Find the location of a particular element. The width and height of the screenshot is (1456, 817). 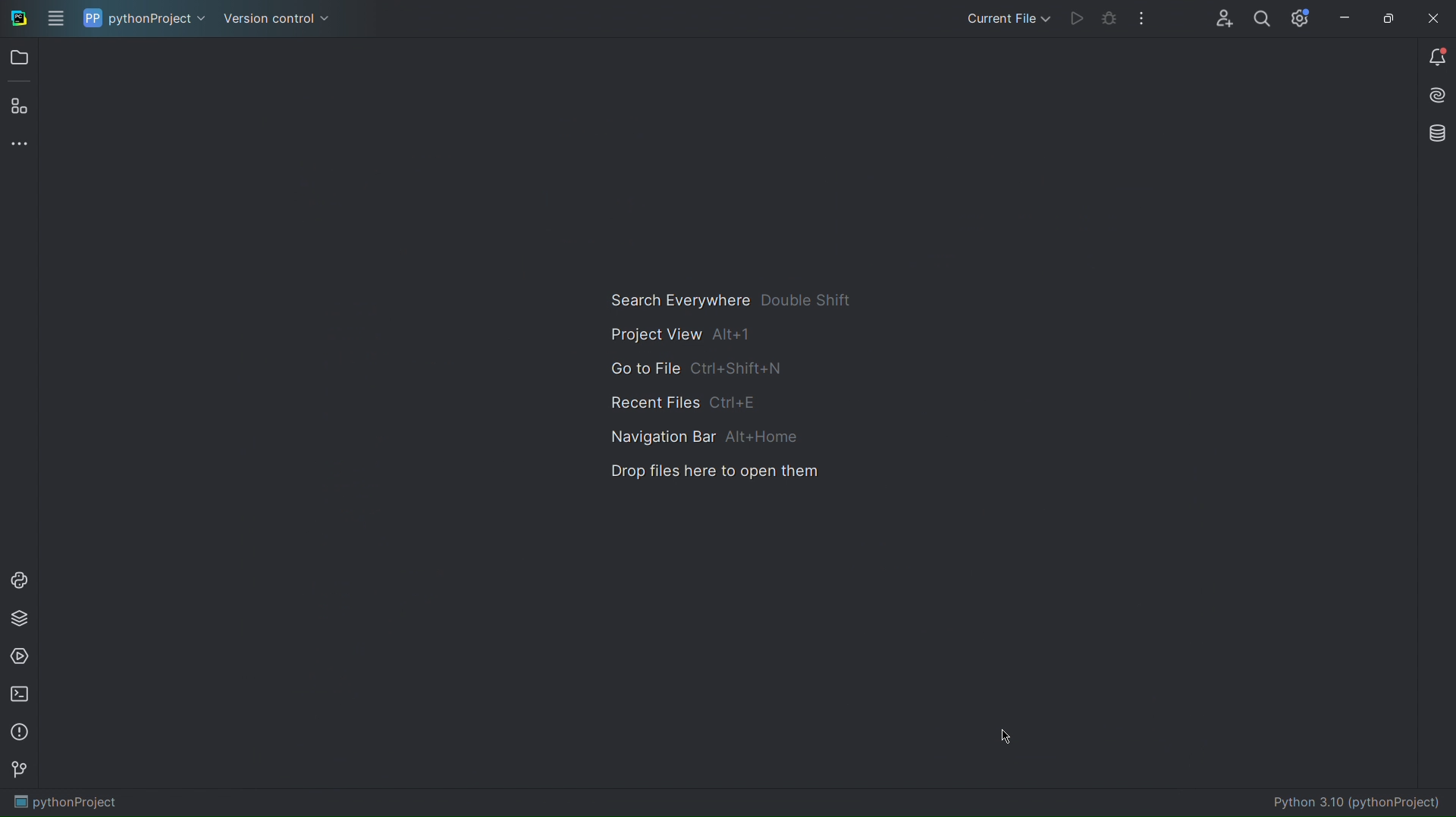

PyCharm is located at coordinates (14, 18).